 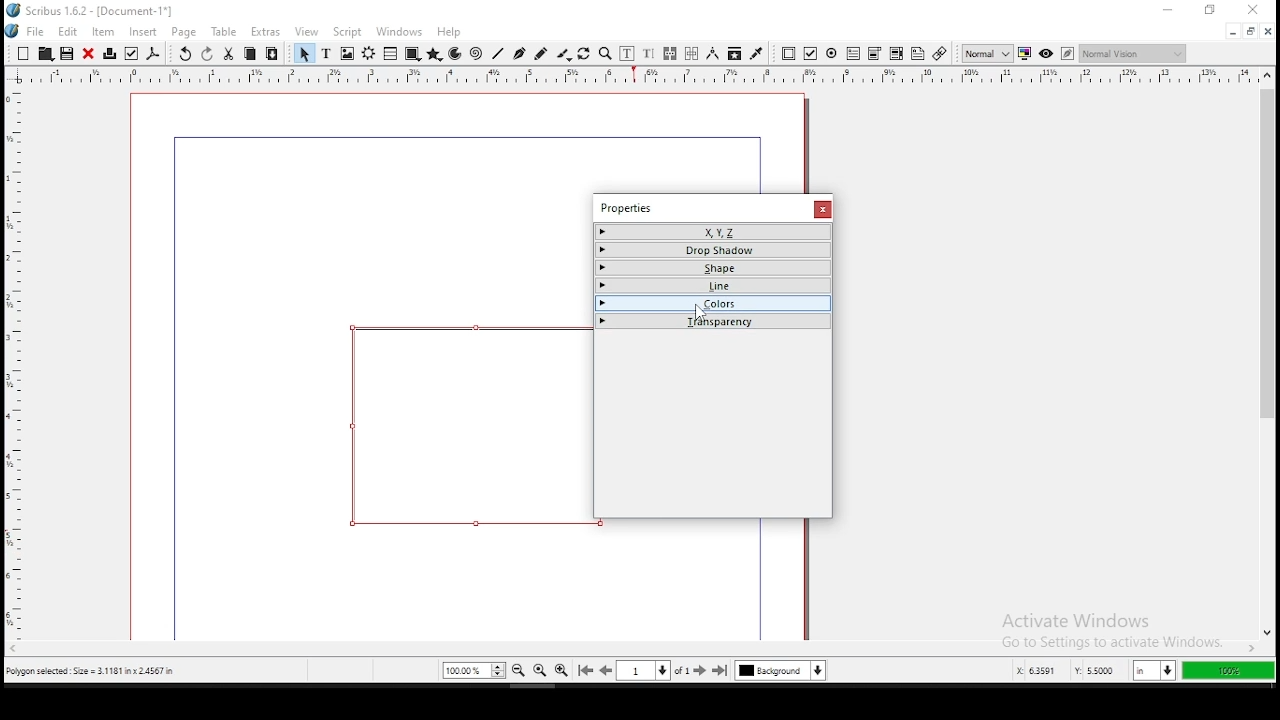 What do you see at coordinates (896, 54) in the screenshot?
I see `pdf combo box` at bounding box center [896, 54].